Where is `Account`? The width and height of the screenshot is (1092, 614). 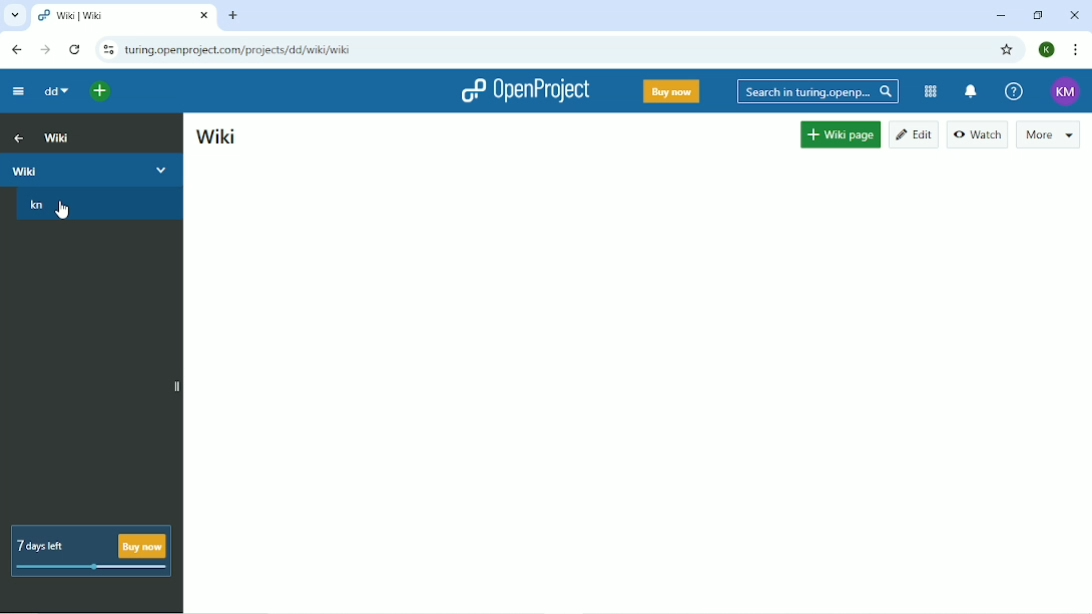 Account is located at coordinates (1047, 50).